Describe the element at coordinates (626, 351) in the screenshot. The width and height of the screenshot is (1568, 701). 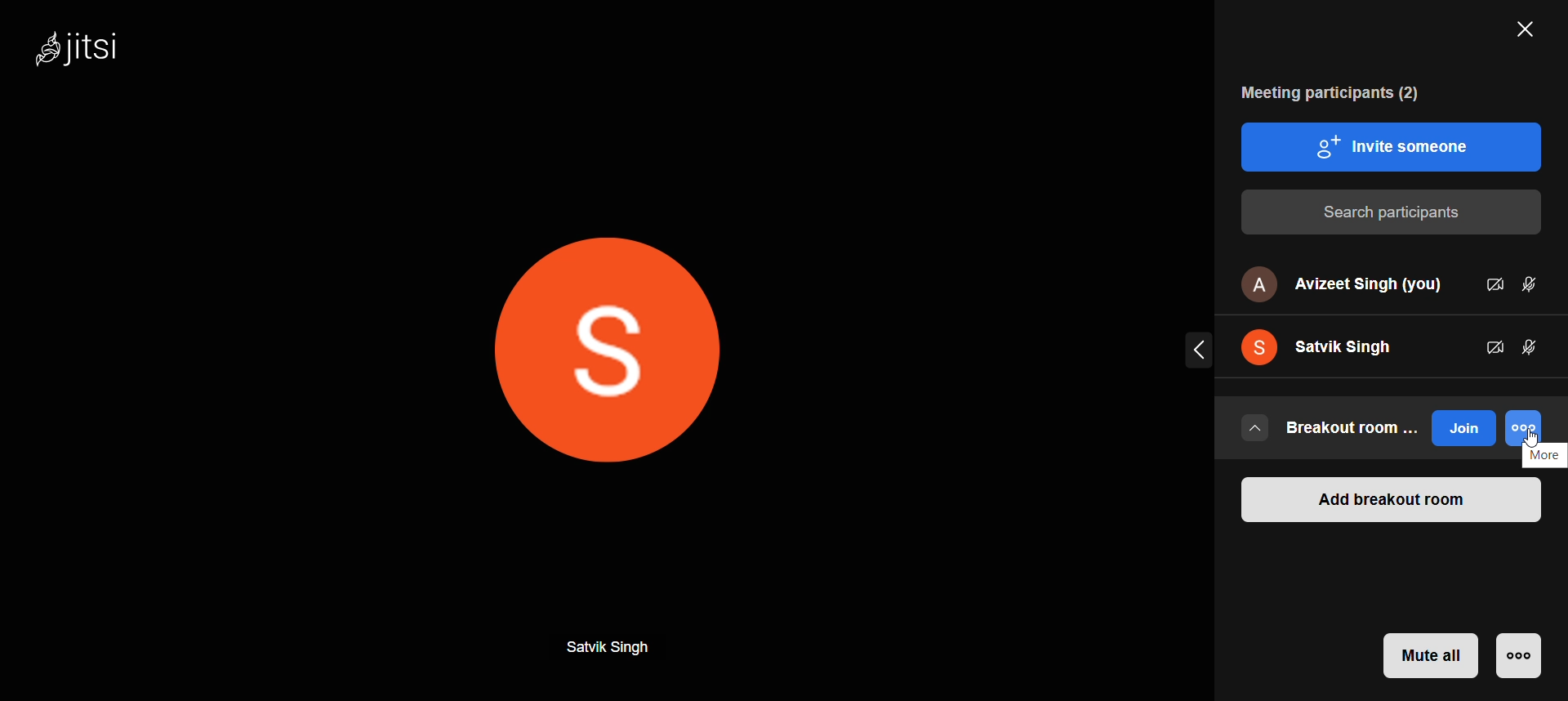
I see `display picture` at that location.